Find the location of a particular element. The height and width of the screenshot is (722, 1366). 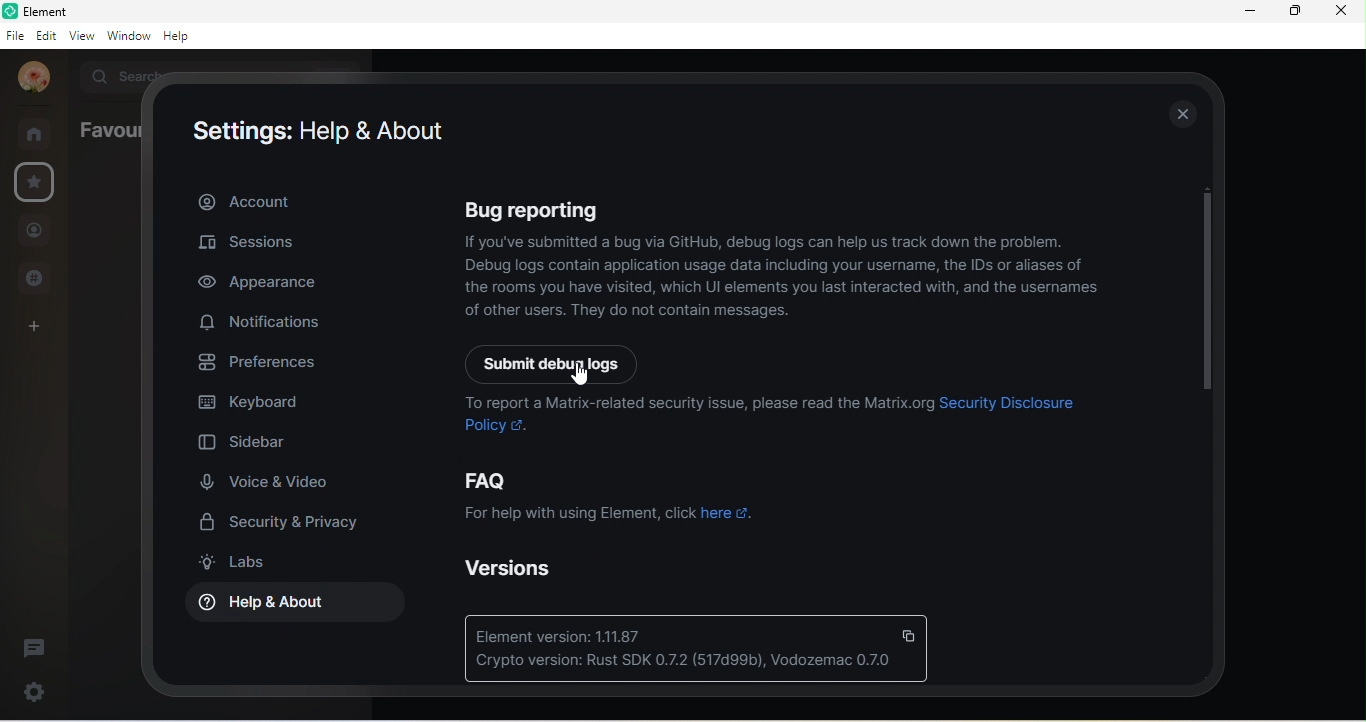

window is located at coordinates (127, 36).